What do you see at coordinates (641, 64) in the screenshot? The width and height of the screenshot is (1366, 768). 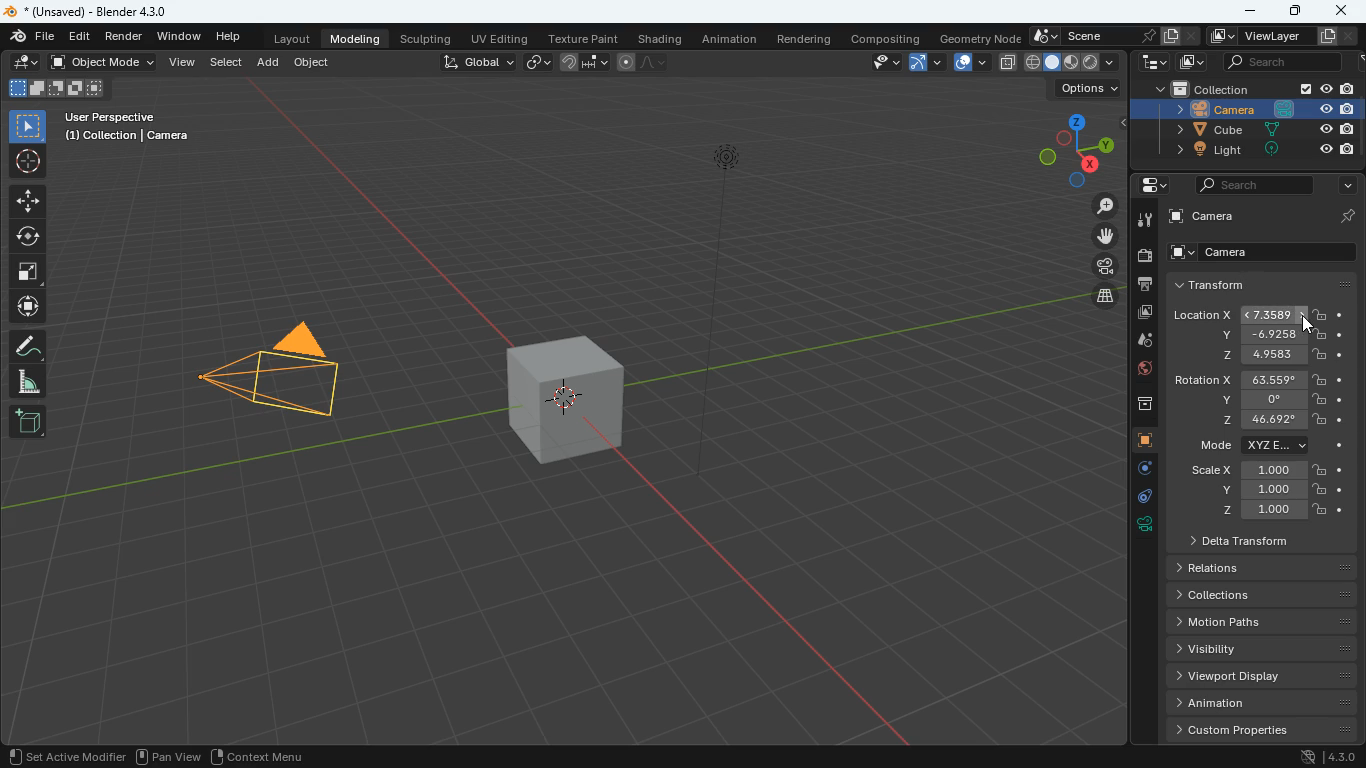 I see `draw` at bounding box center [641, 64].